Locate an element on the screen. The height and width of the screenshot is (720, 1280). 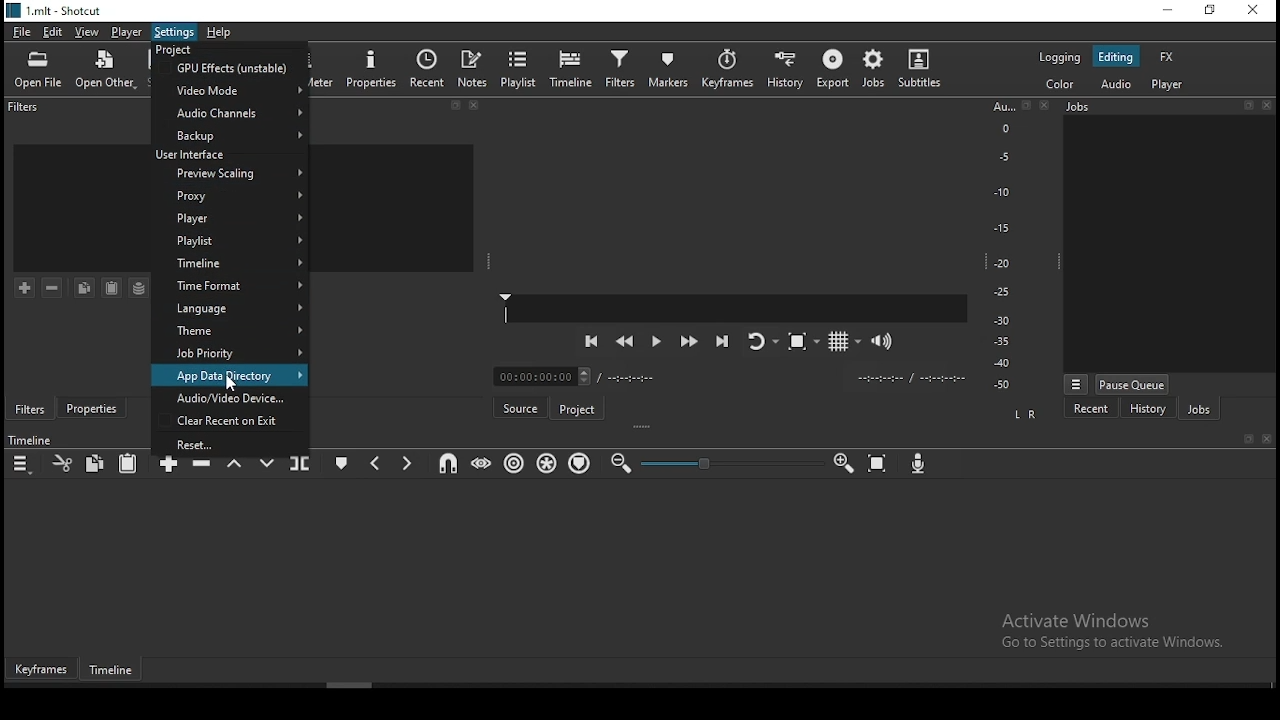
skip to previous point is located at coordinates (589, 340).